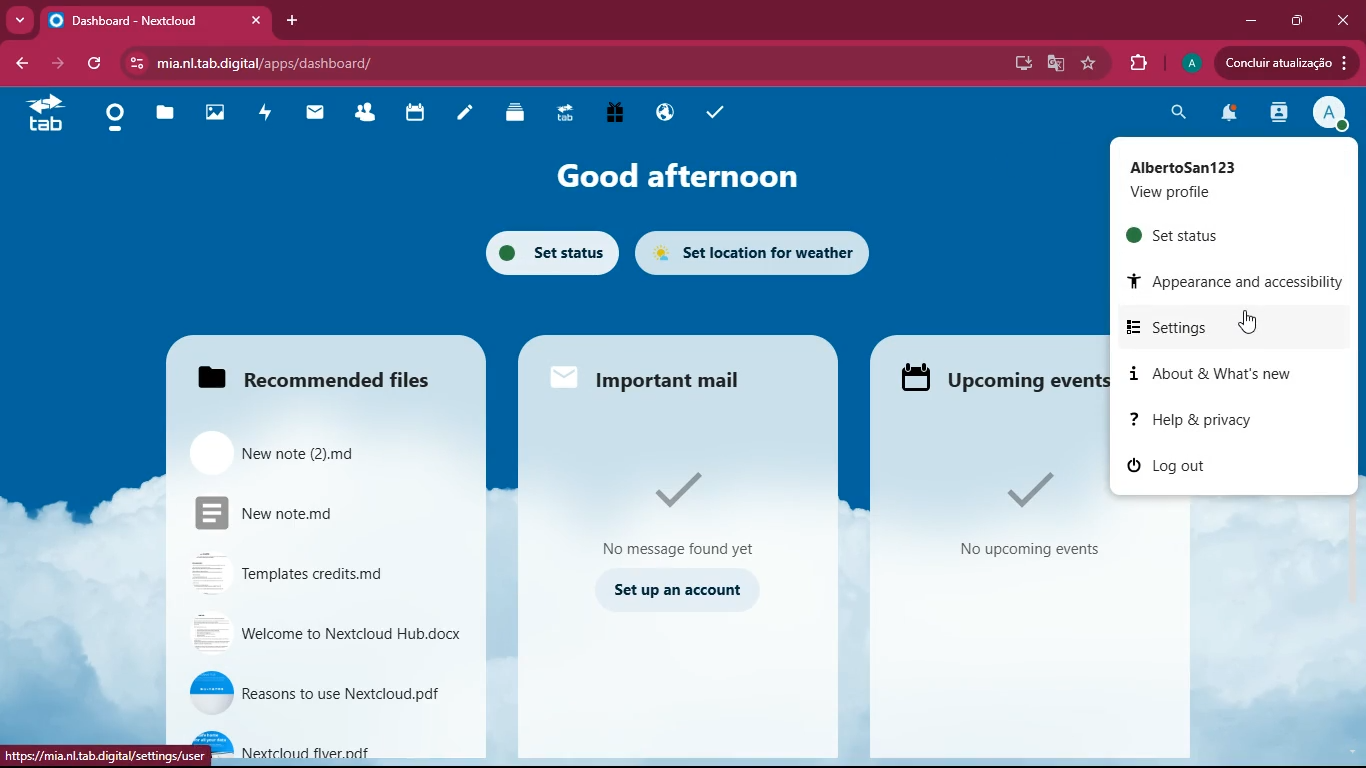  Describe the element at coordinates (410, 113) in the screenshot. I see `calendar` at that location.